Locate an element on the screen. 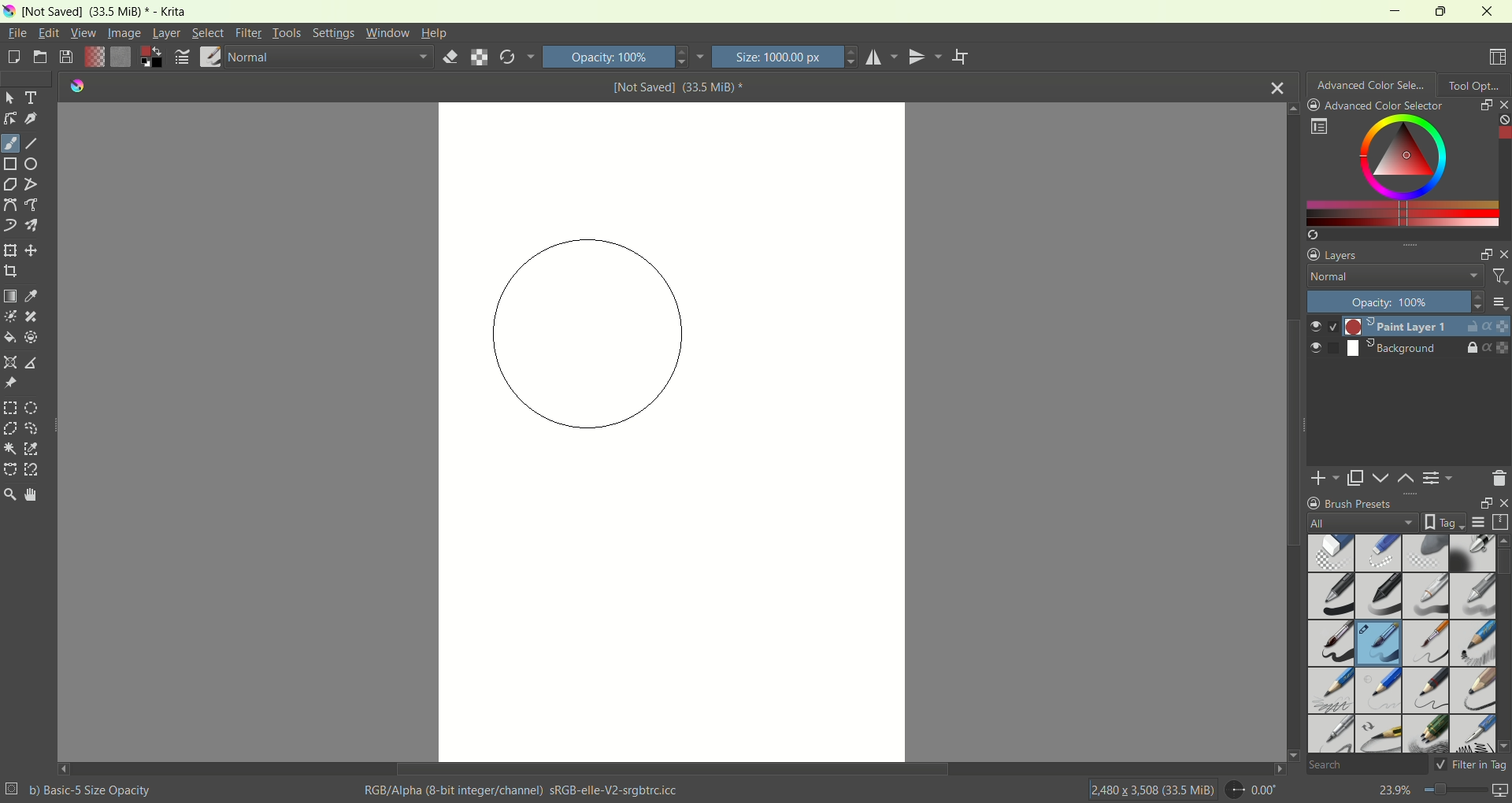 The height and width of the screenshot is (803, 1512). draw a gradient is located at coordinates (10, 295).